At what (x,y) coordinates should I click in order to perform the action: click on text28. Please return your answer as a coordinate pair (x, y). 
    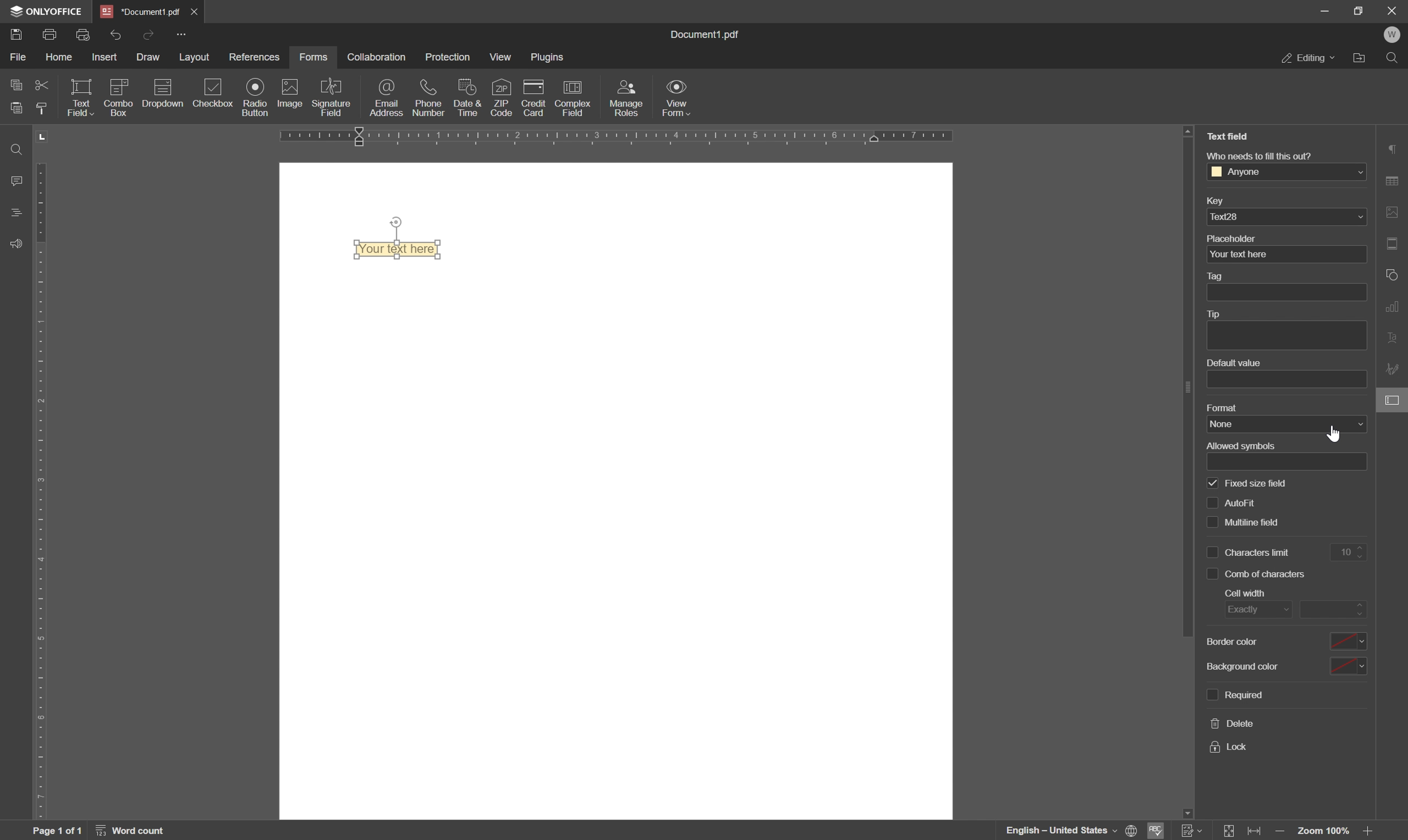
    Looking at the image, I should click on (1285, 218).